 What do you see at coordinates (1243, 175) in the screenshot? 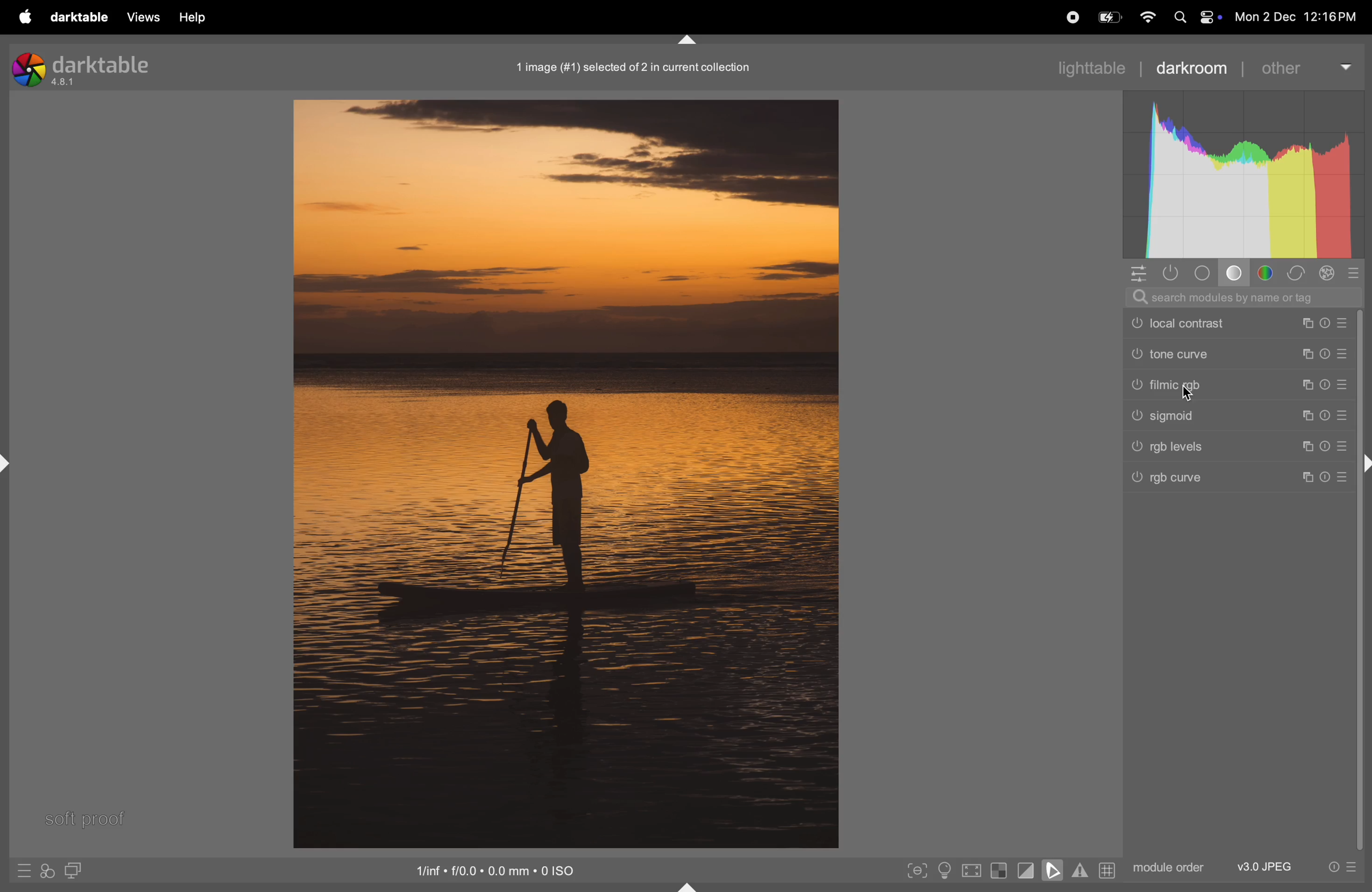
I see `histogram` at bounding box center [1243, 175].